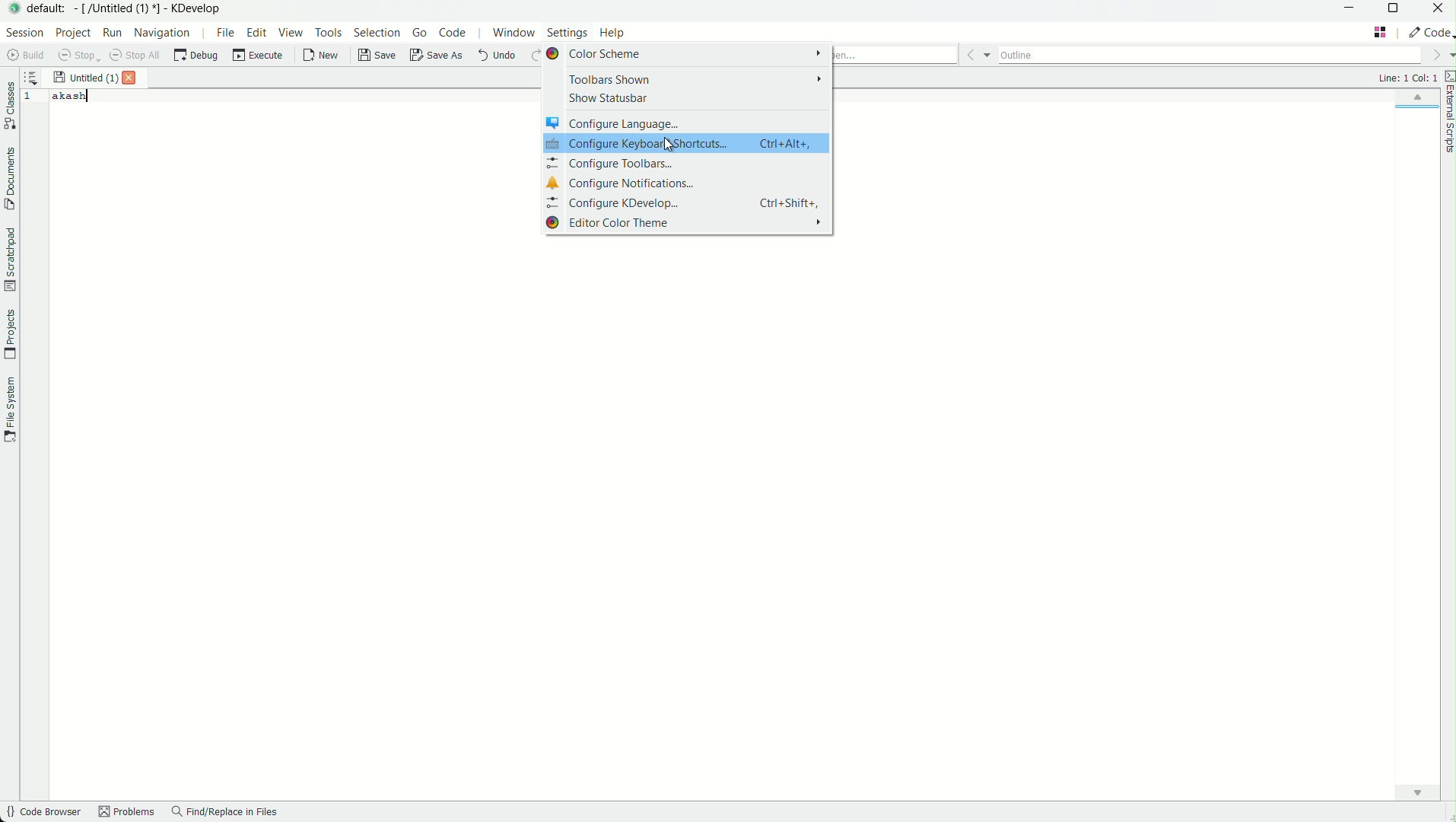  What do you see at coordinates (113, 33) in the screenshot?
I see `run menu` at bounding box center [113, 33].